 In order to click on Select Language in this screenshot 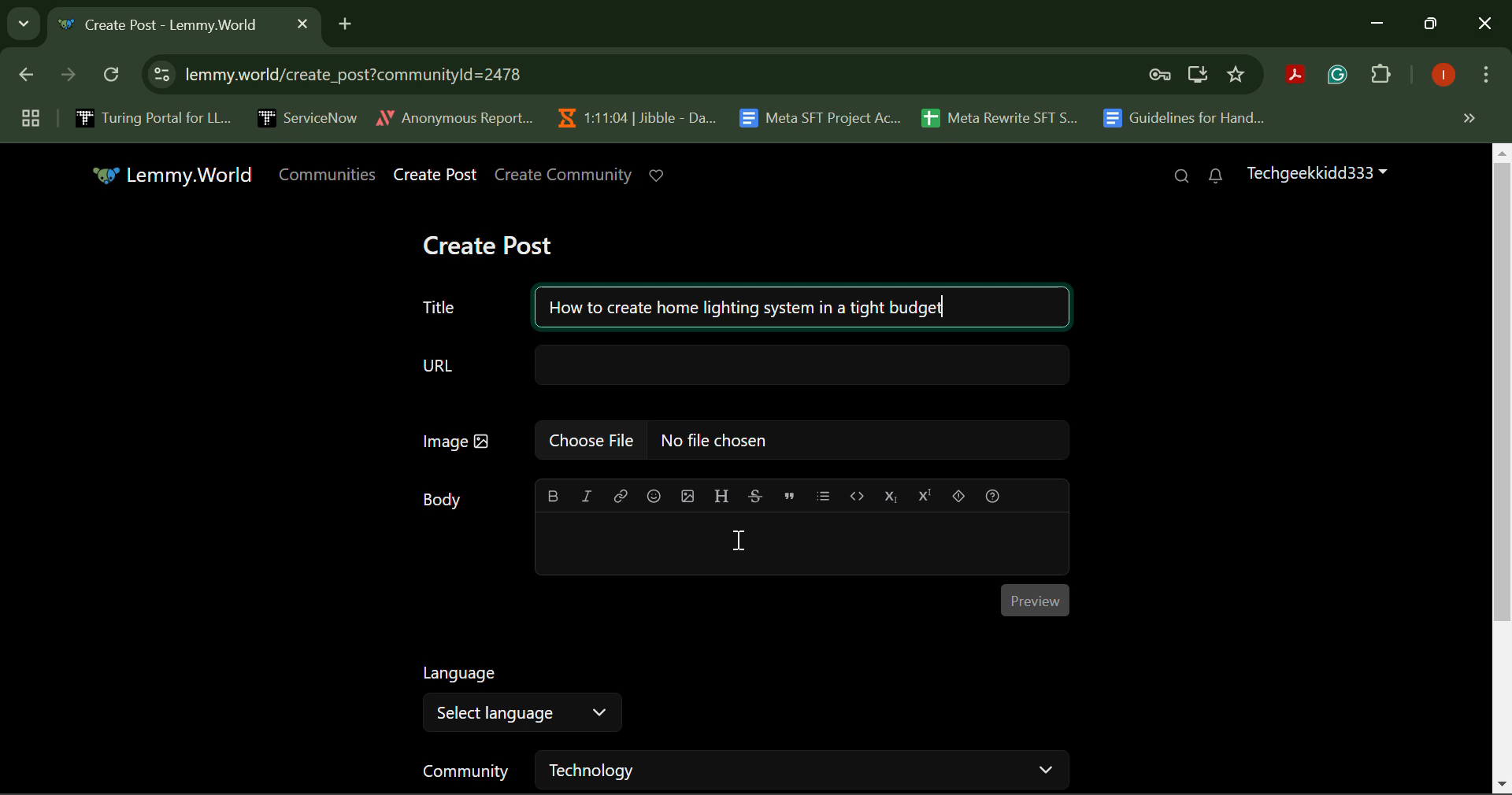, I will do `click(521, 699)`.